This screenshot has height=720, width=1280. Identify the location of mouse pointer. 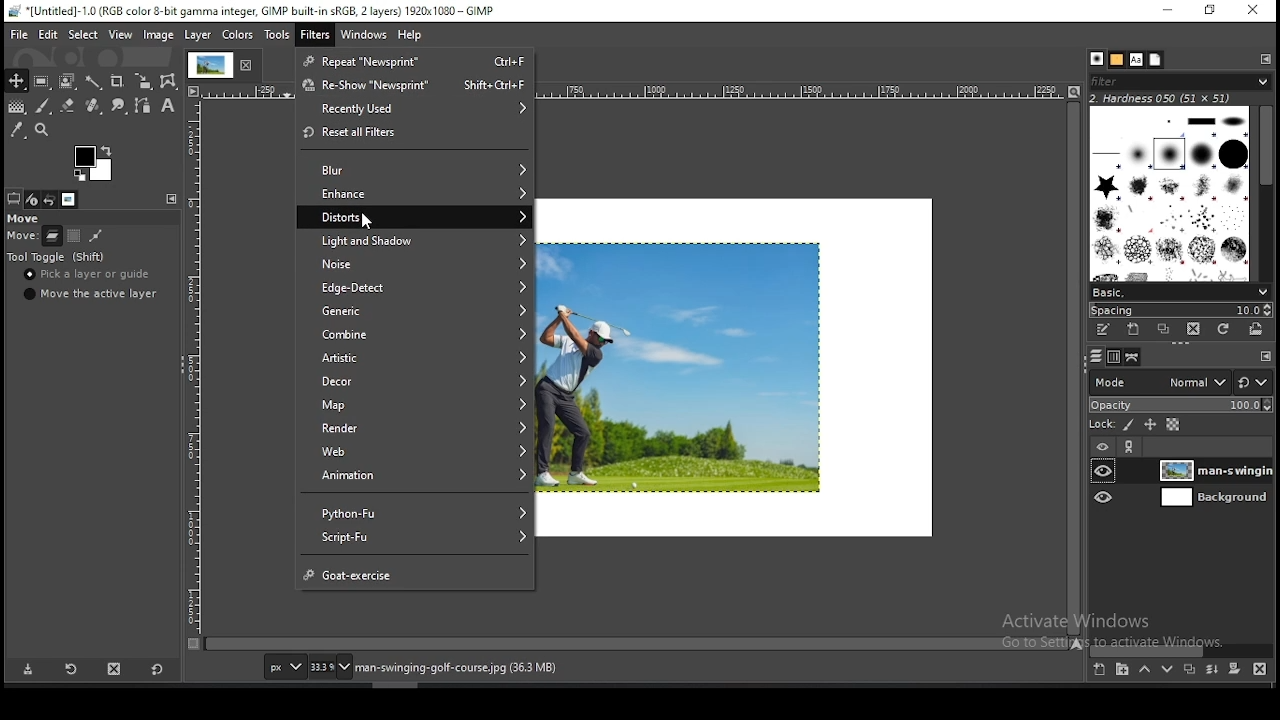
(368, 222).